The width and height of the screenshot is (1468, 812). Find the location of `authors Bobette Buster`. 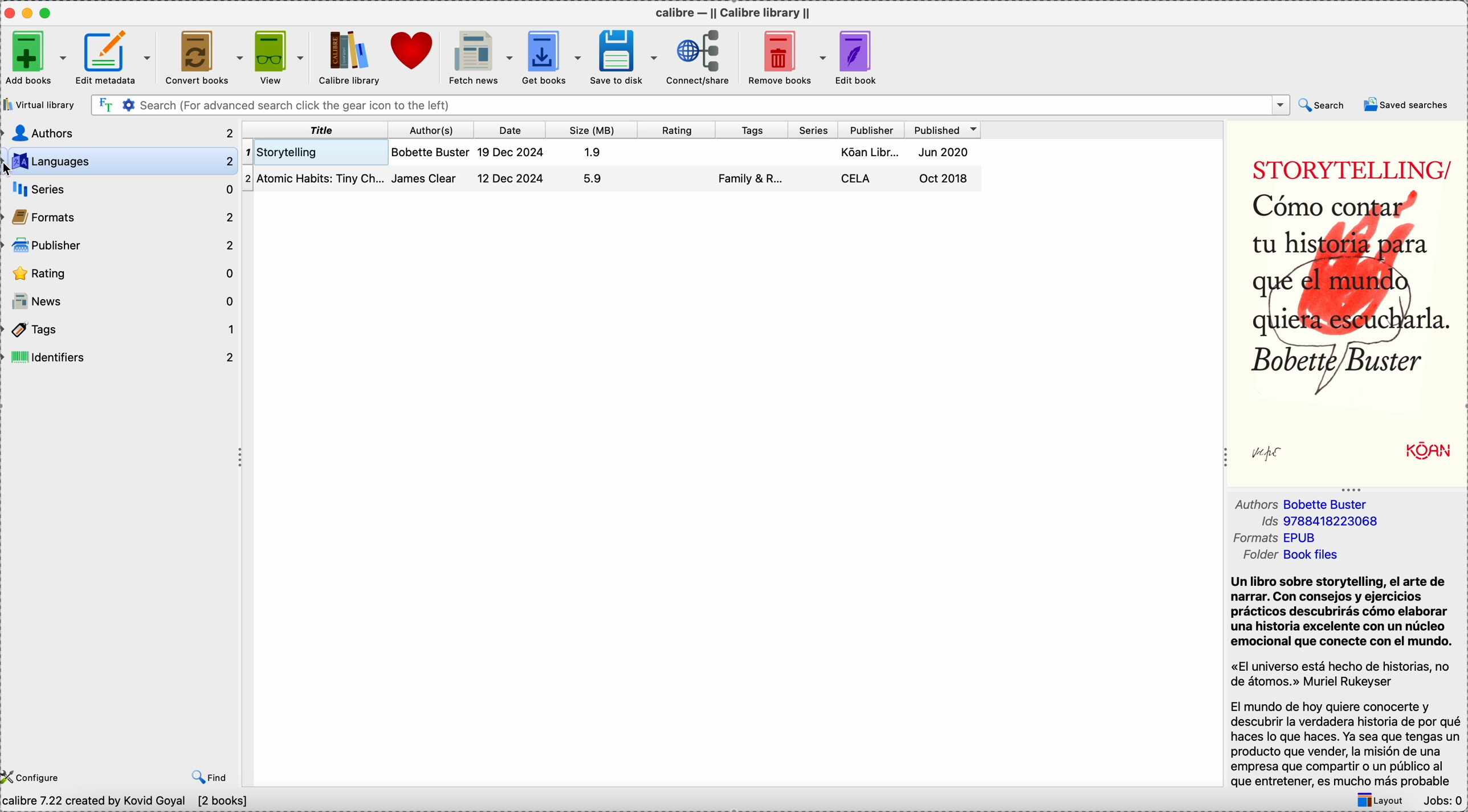

authors Bobette Buster is located at coordinates (1303, 504).